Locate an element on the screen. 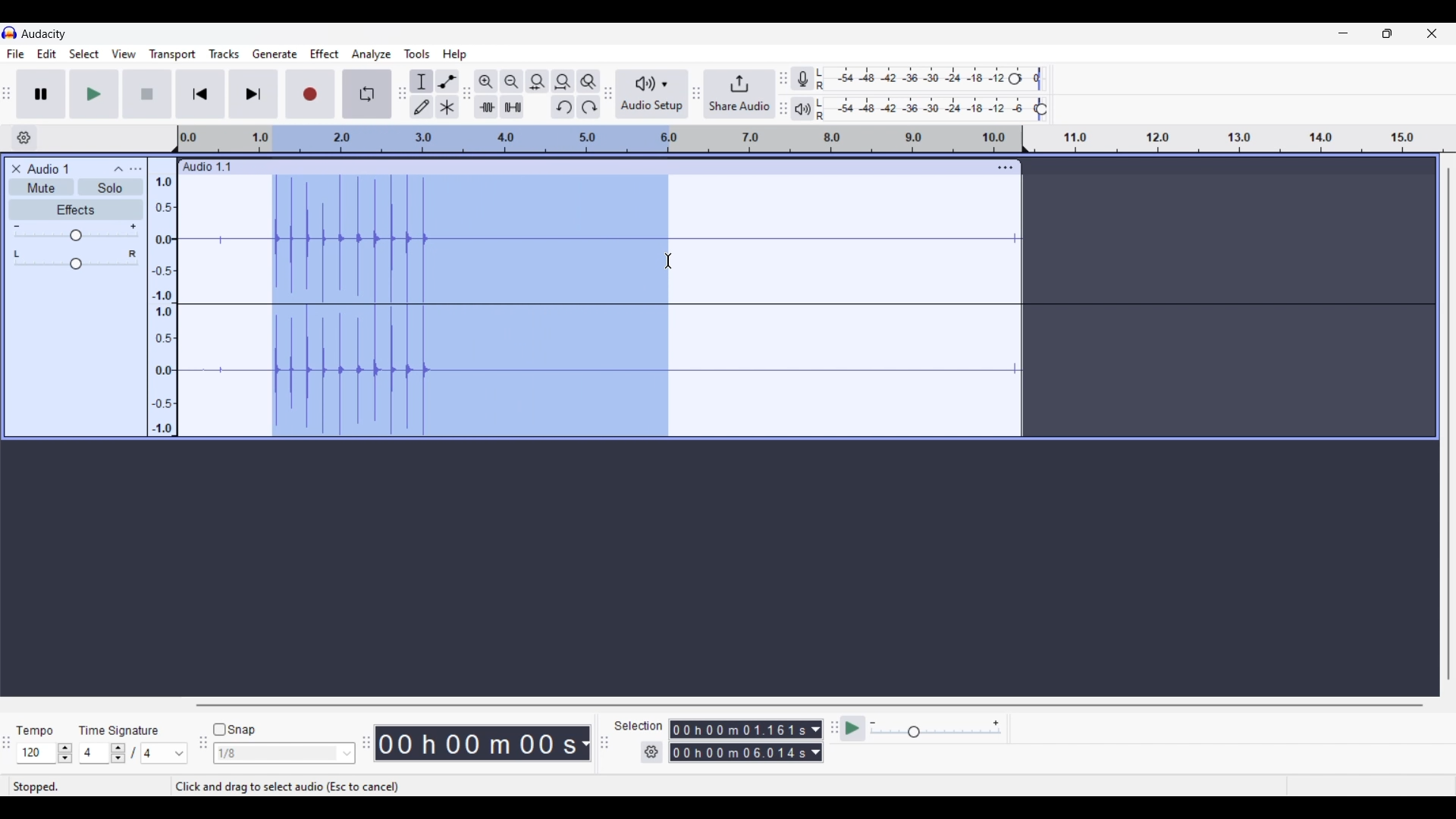 This screenshot has width=1456, height=819. Pan to left is located at coordinates (17, 254).